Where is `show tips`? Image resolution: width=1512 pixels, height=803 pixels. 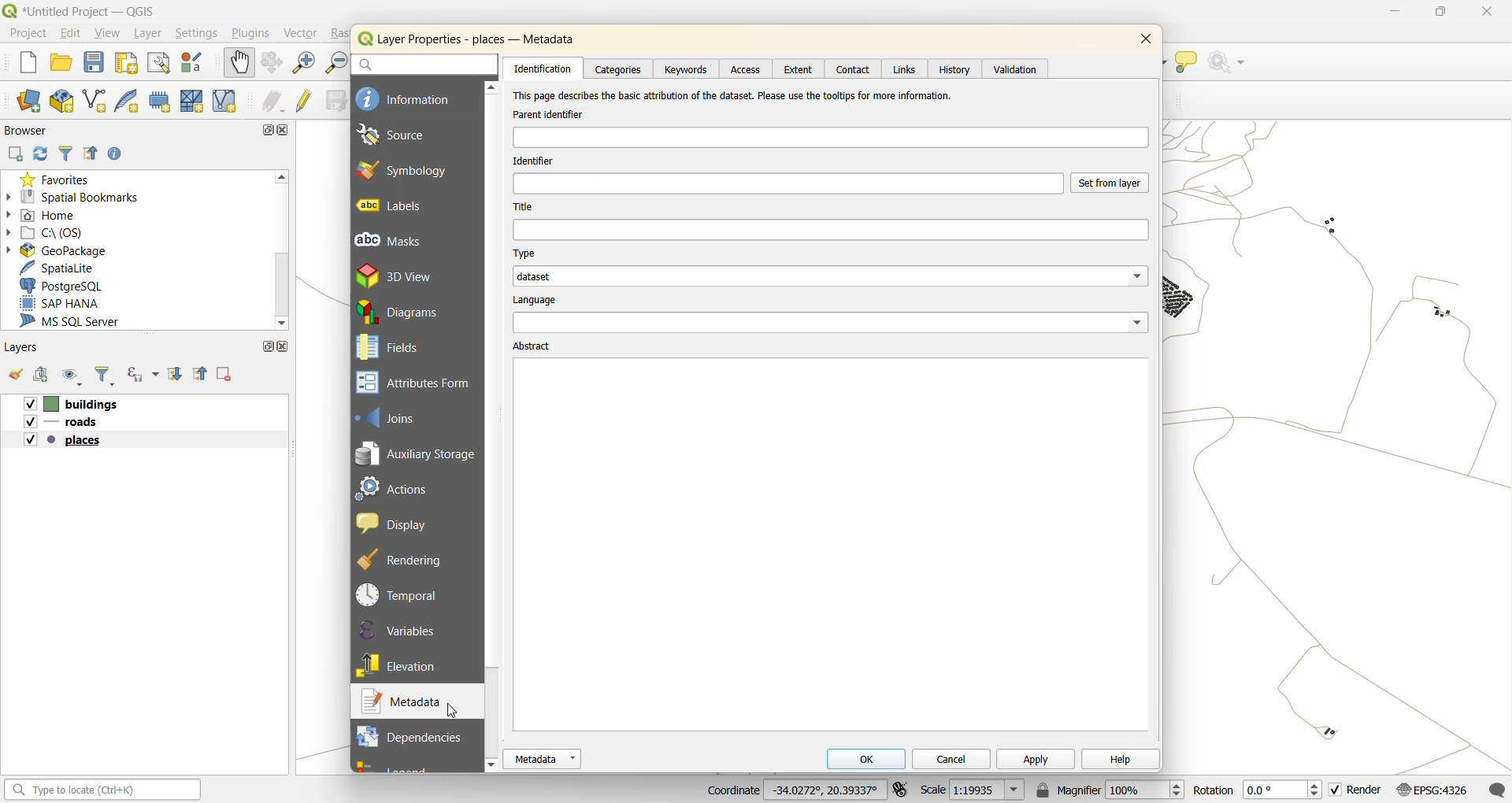
show tips is located at coordinates (1187, 64).